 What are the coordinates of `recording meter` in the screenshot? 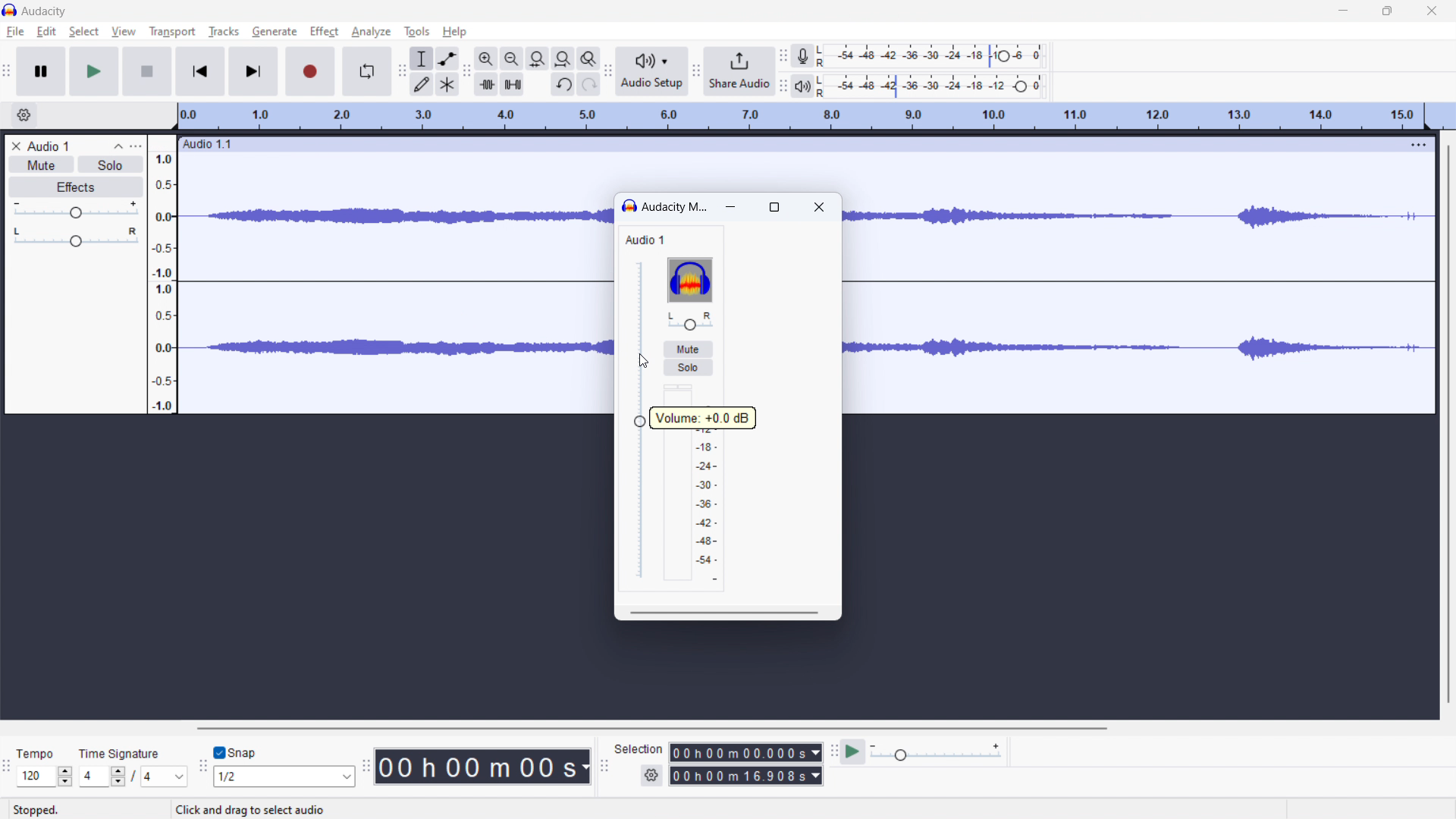 It's located at (803, 57).